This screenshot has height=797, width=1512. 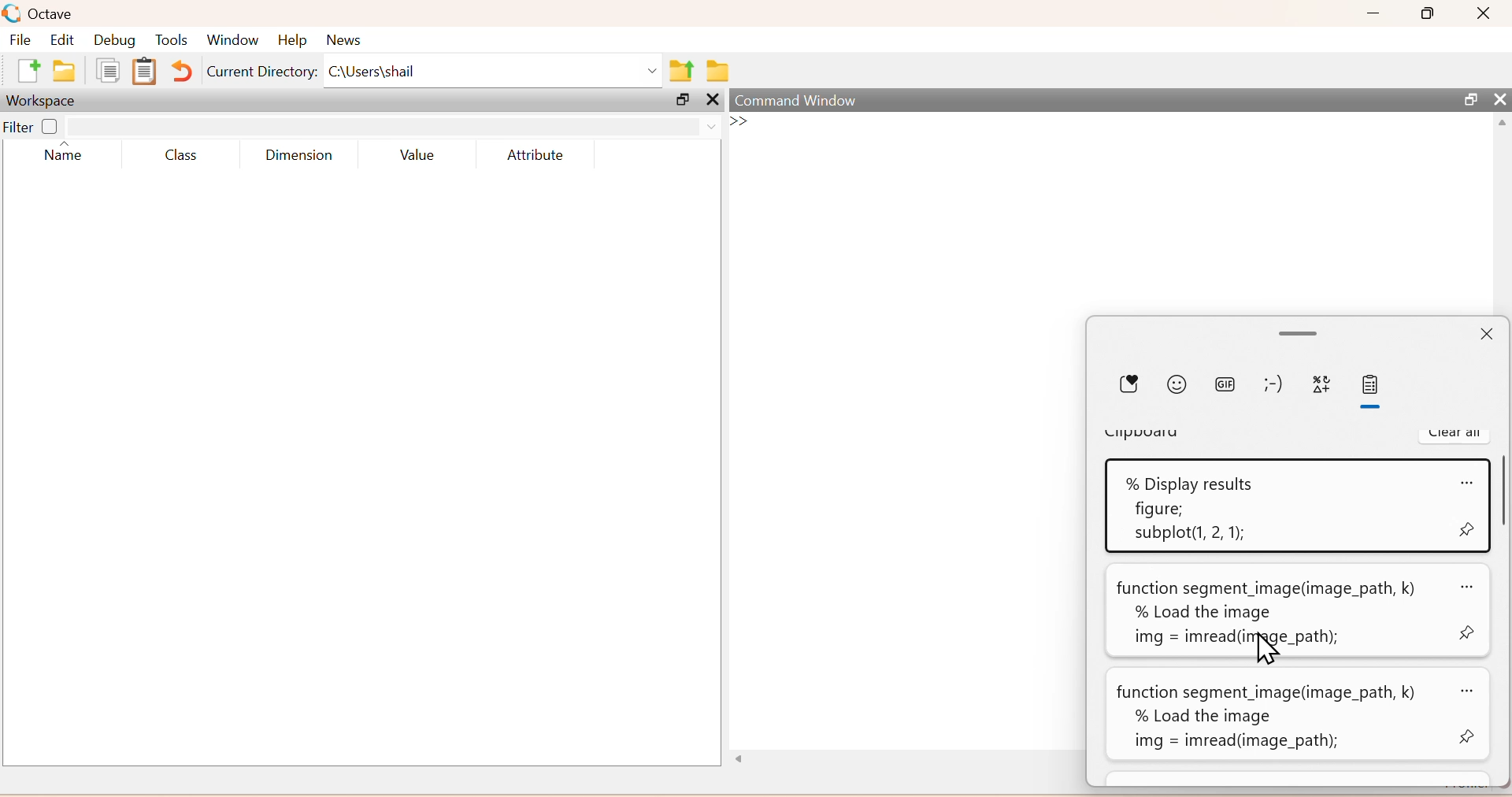 What do you see at coordinates (1502, 499) in the screenshot?
I see `scroll bar` at bounding box center [1502, 499].